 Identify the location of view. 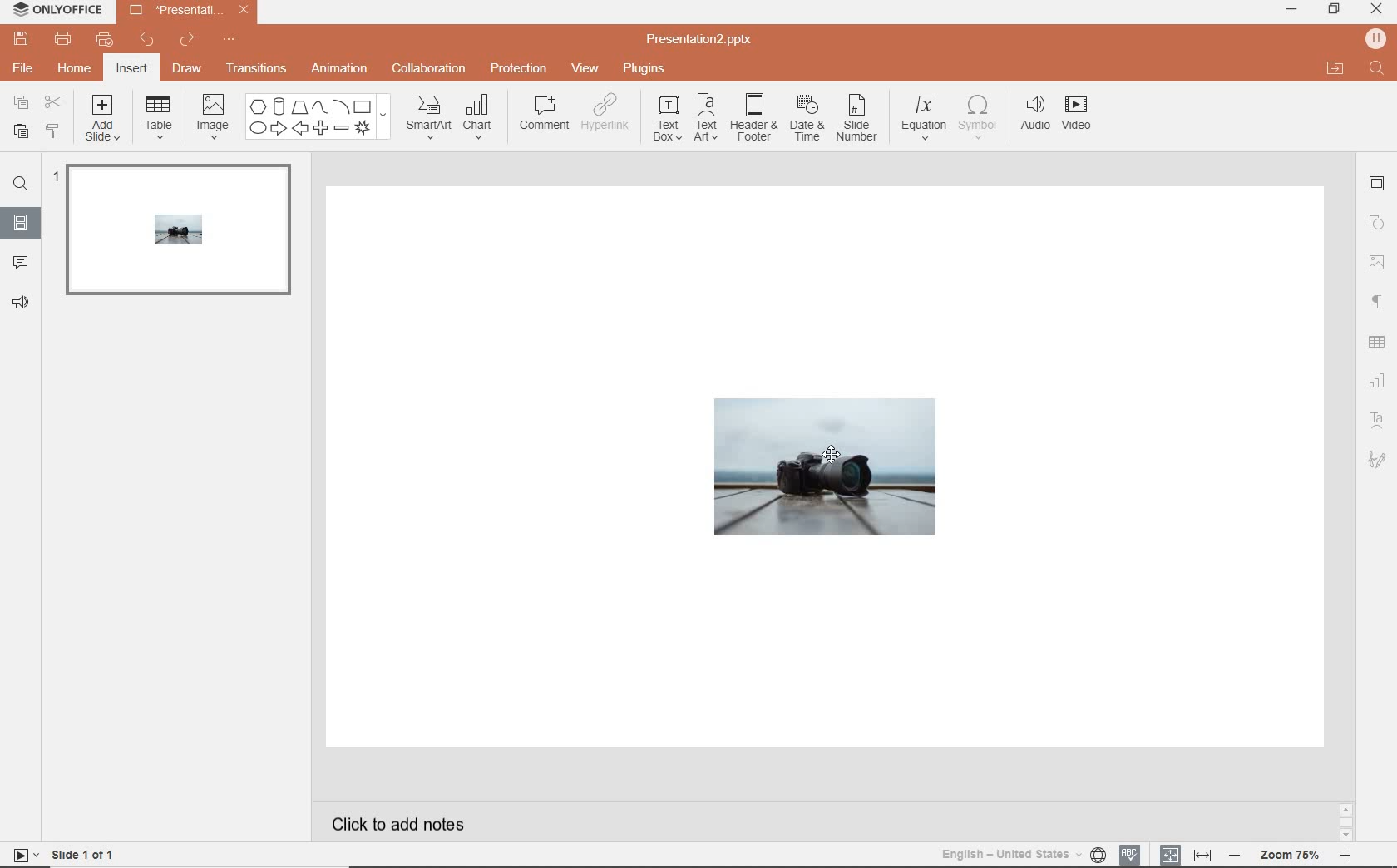
(586, 67).